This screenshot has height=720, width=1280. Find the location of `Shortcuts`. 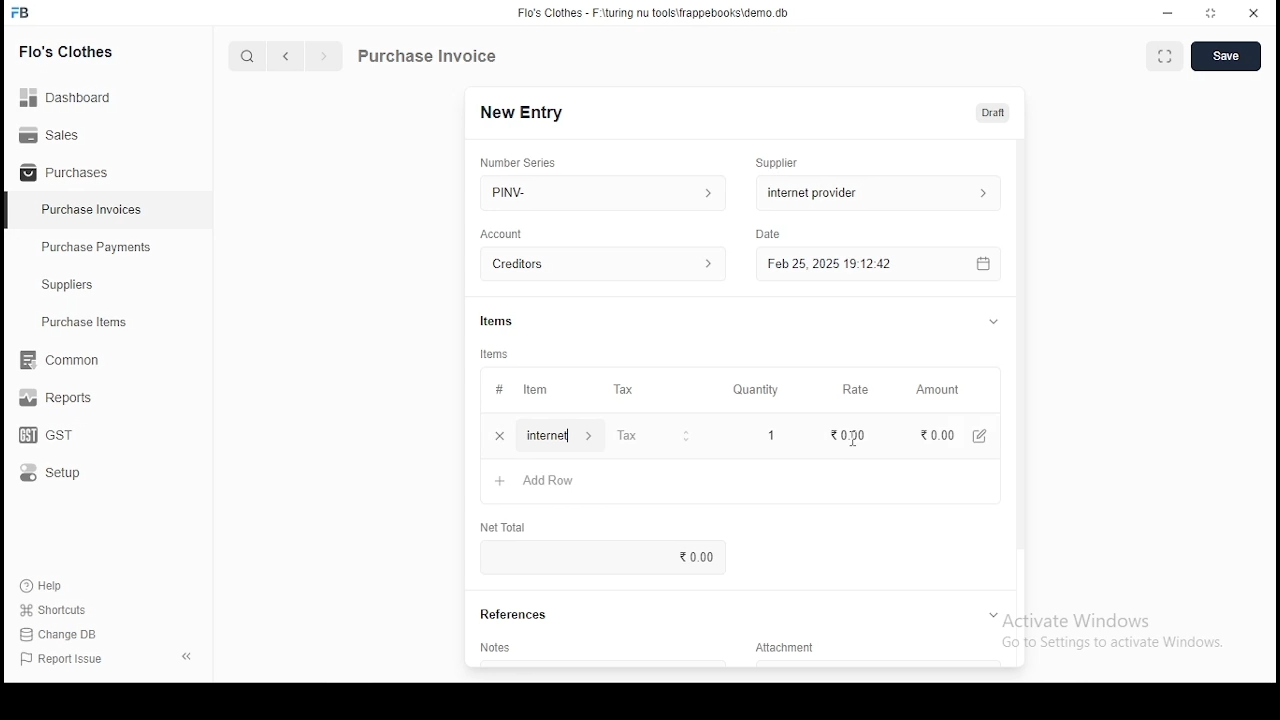

Shortcuts is located at coordinates (61, 610).